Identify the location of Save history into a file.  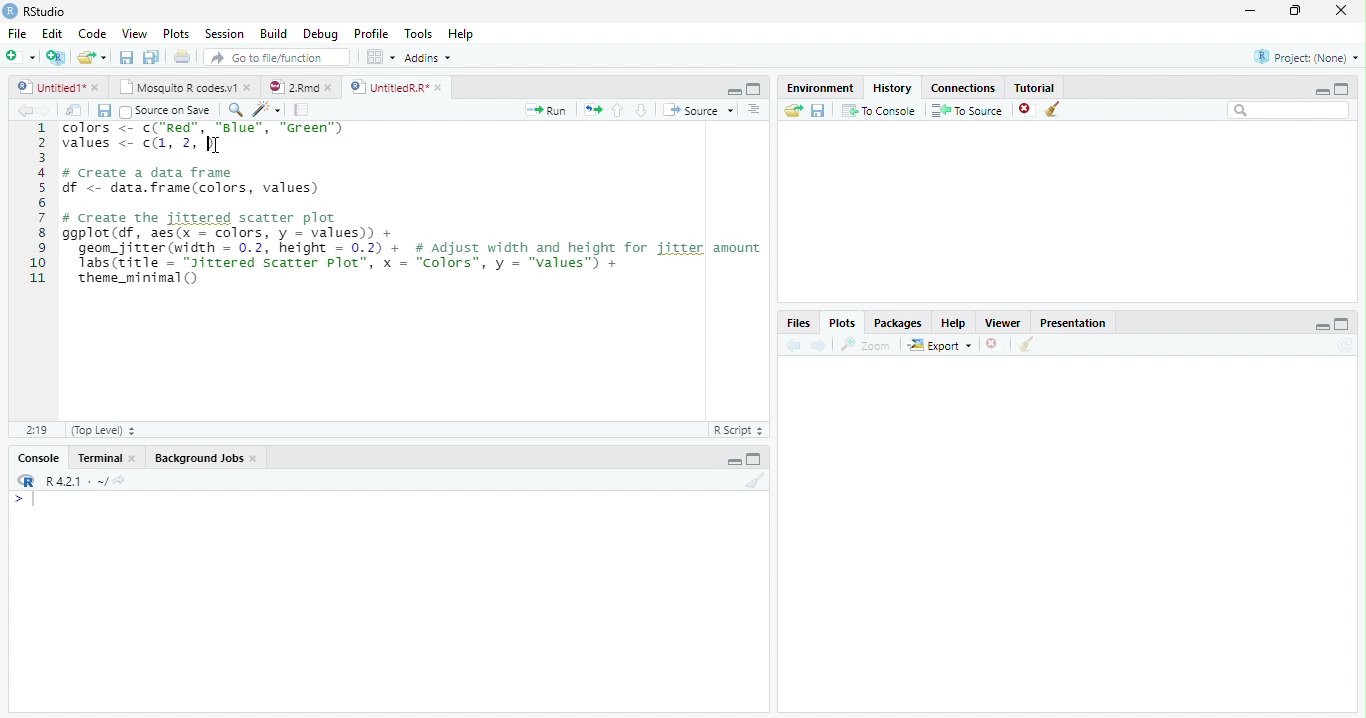
(818, 110).